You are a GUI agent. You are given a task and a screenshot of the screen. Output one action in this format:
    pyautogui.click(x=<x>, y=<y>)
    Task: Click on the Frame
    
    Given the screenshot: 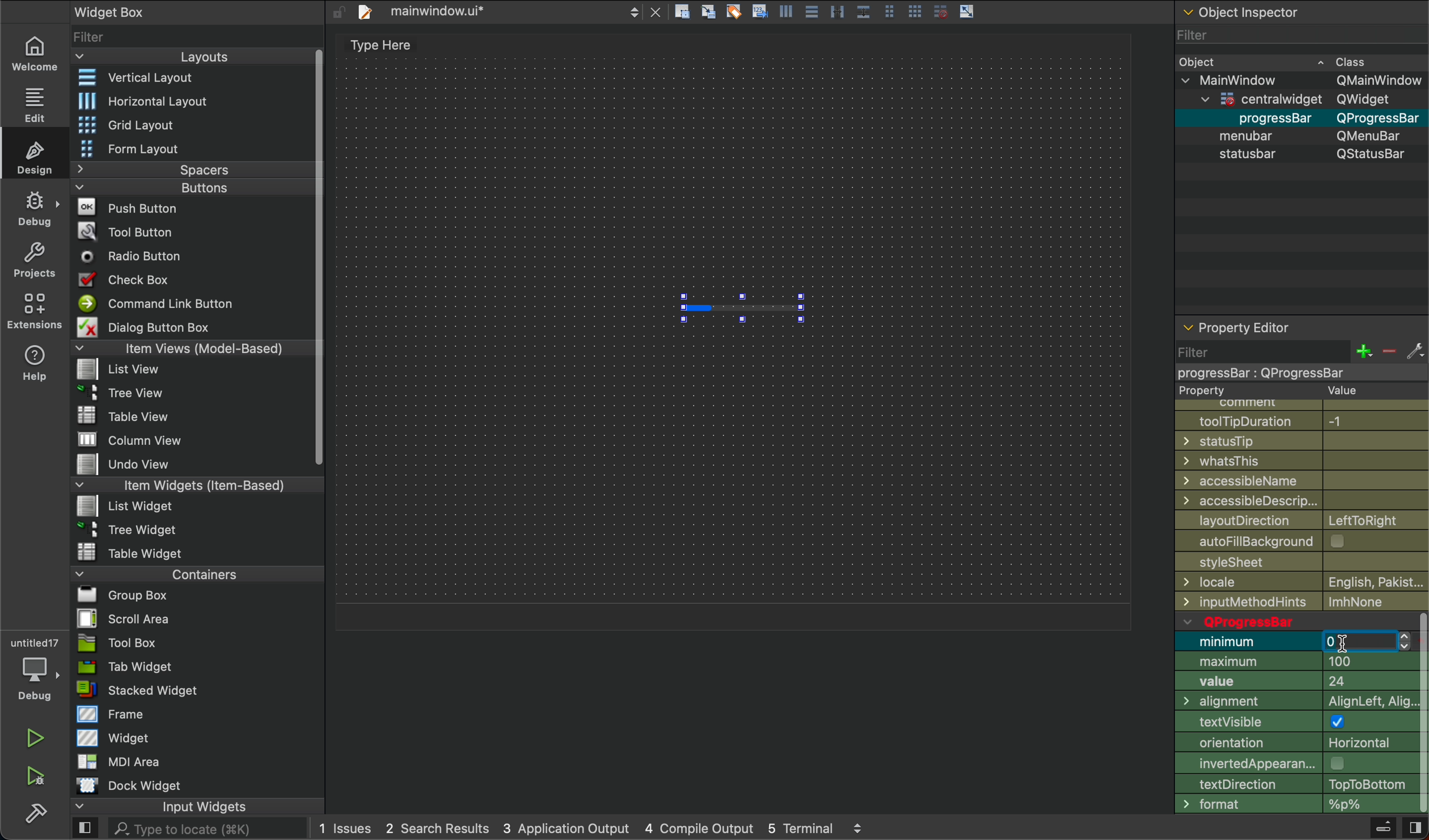 What is the action you would take?
    pyautogui.click(x=112, y=714)
    